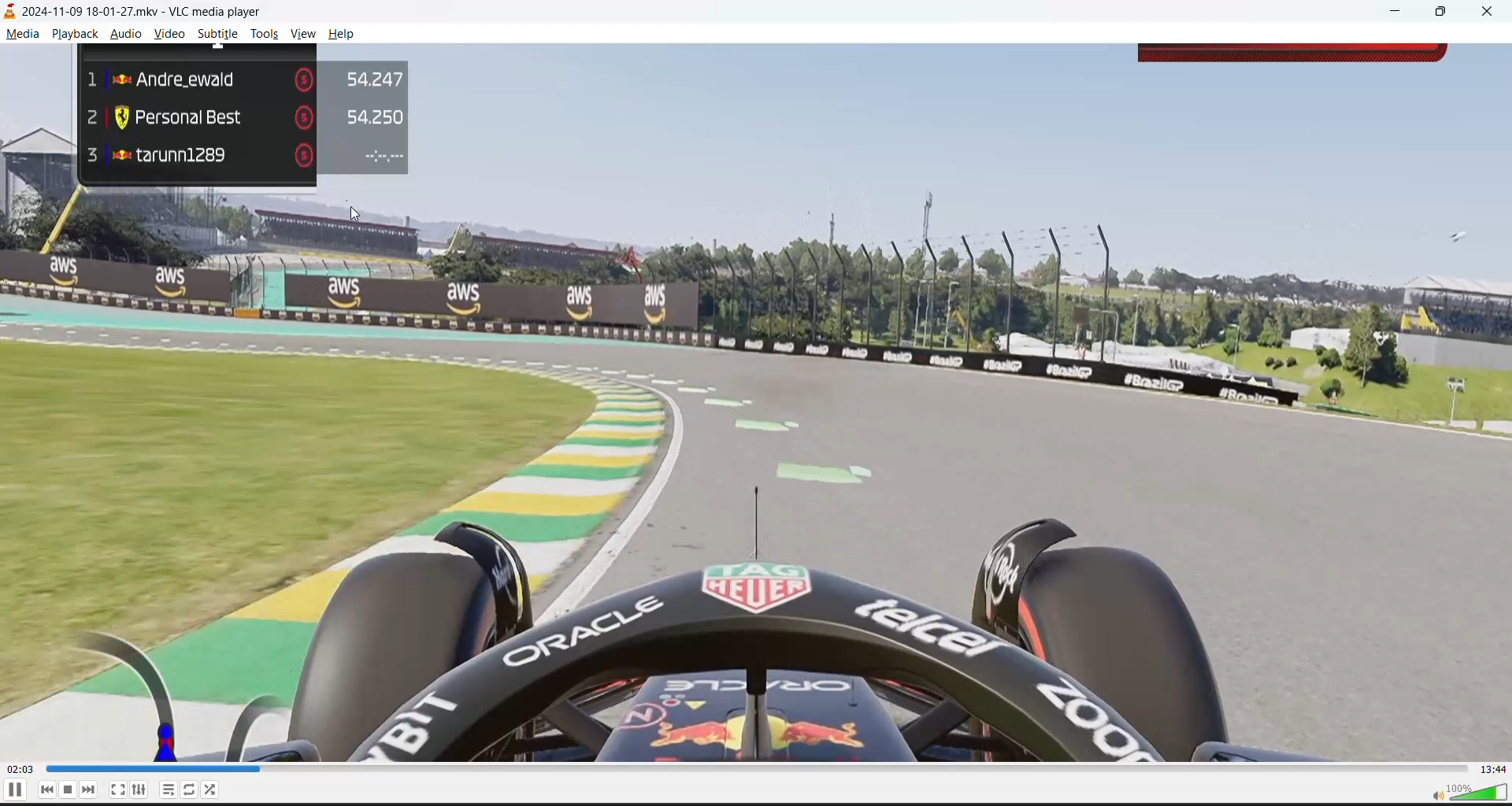 This screenshot has width=1512, height=806. Describe the element at coordinates (345, 33) in the screenshot. I see `help` at that location.